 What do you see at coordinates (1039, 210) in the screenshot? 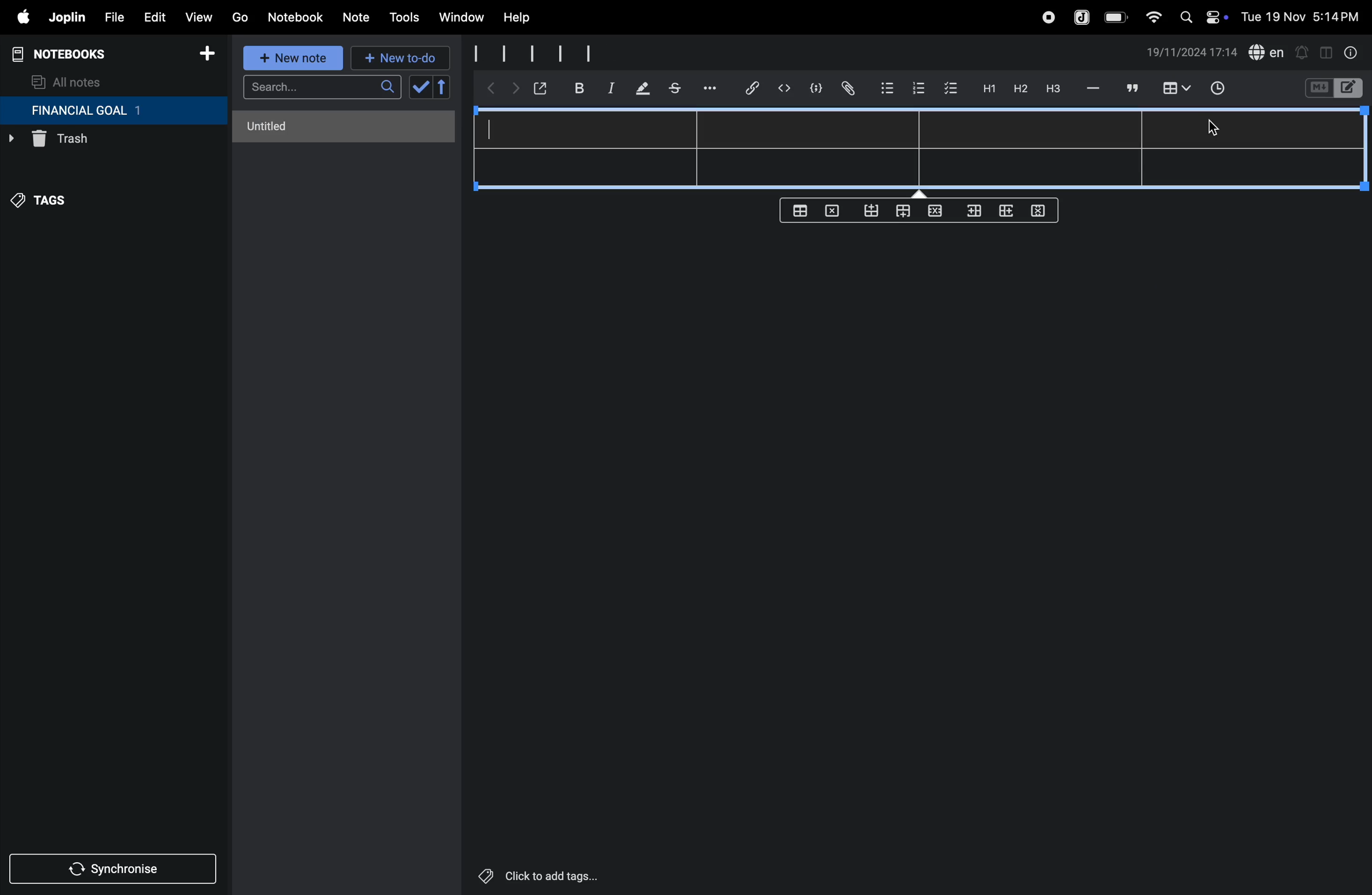
I see `delete rows` at bounding box center [1039, 210].